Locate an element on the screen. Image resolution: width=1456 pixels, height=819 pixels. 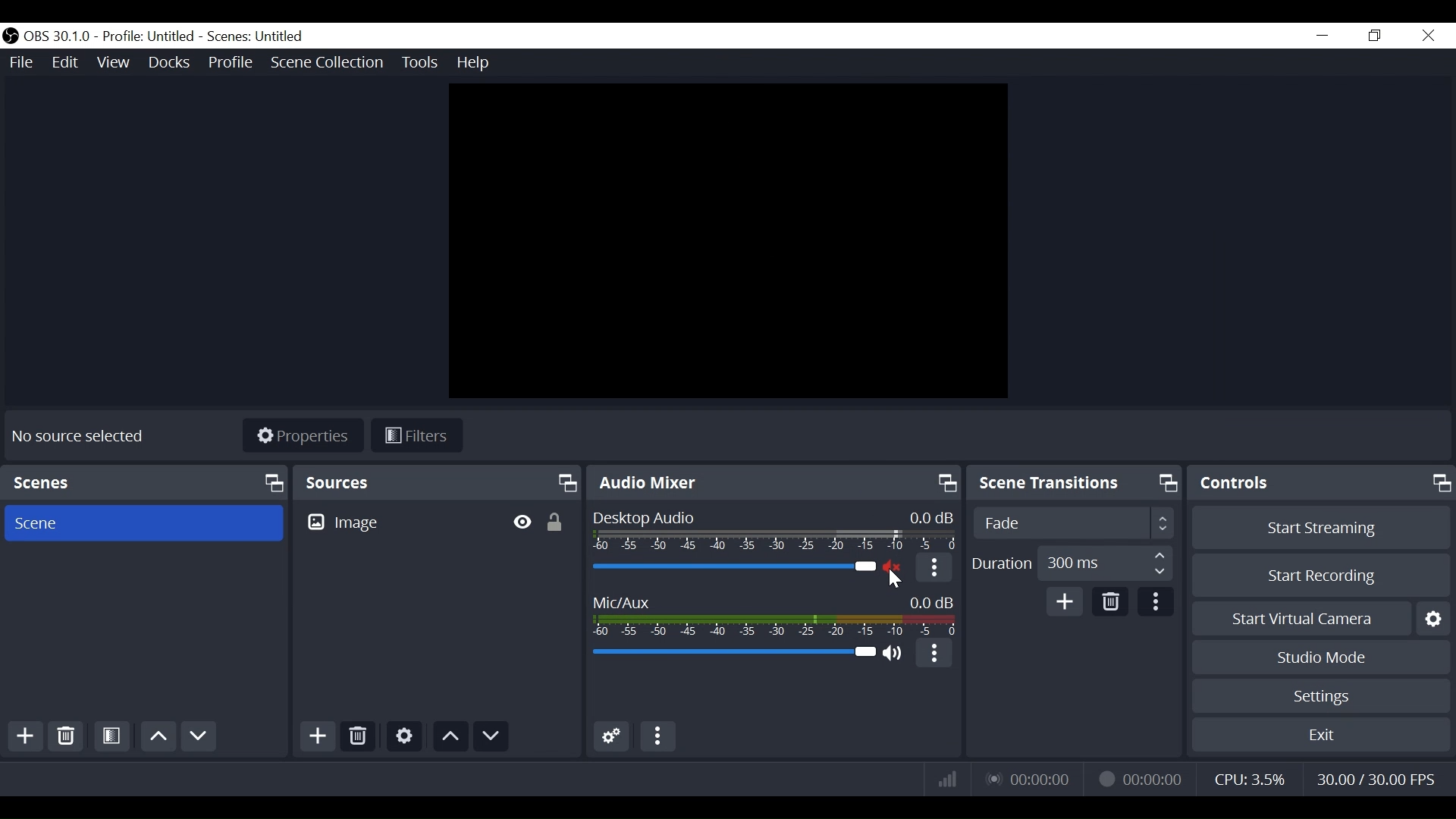
Hide/Display Source is located at coordinates (521, 521).